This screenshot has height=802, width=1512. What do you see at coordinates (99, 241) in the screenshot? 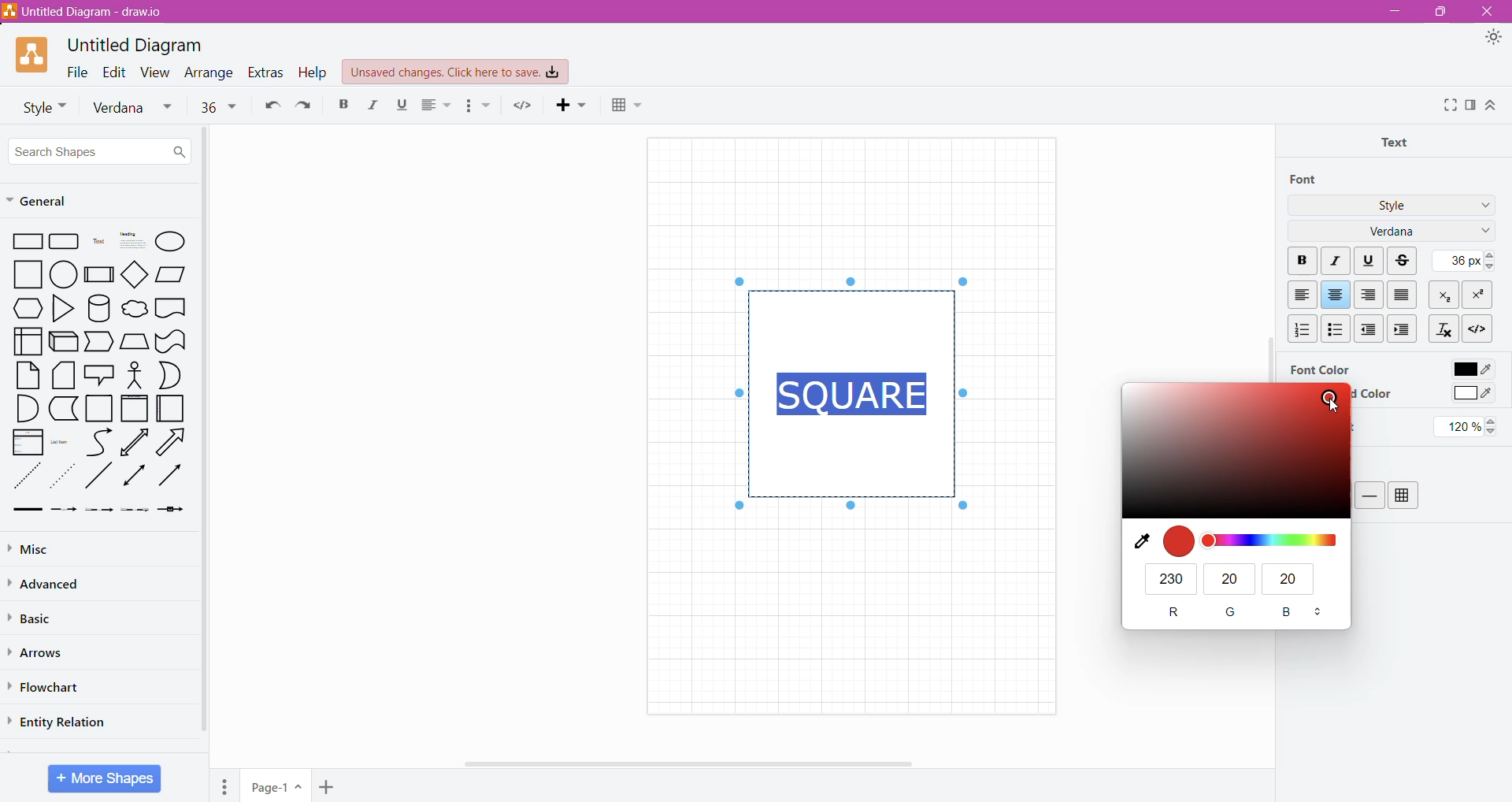
I see `Text` at bounding box center [99, 241].